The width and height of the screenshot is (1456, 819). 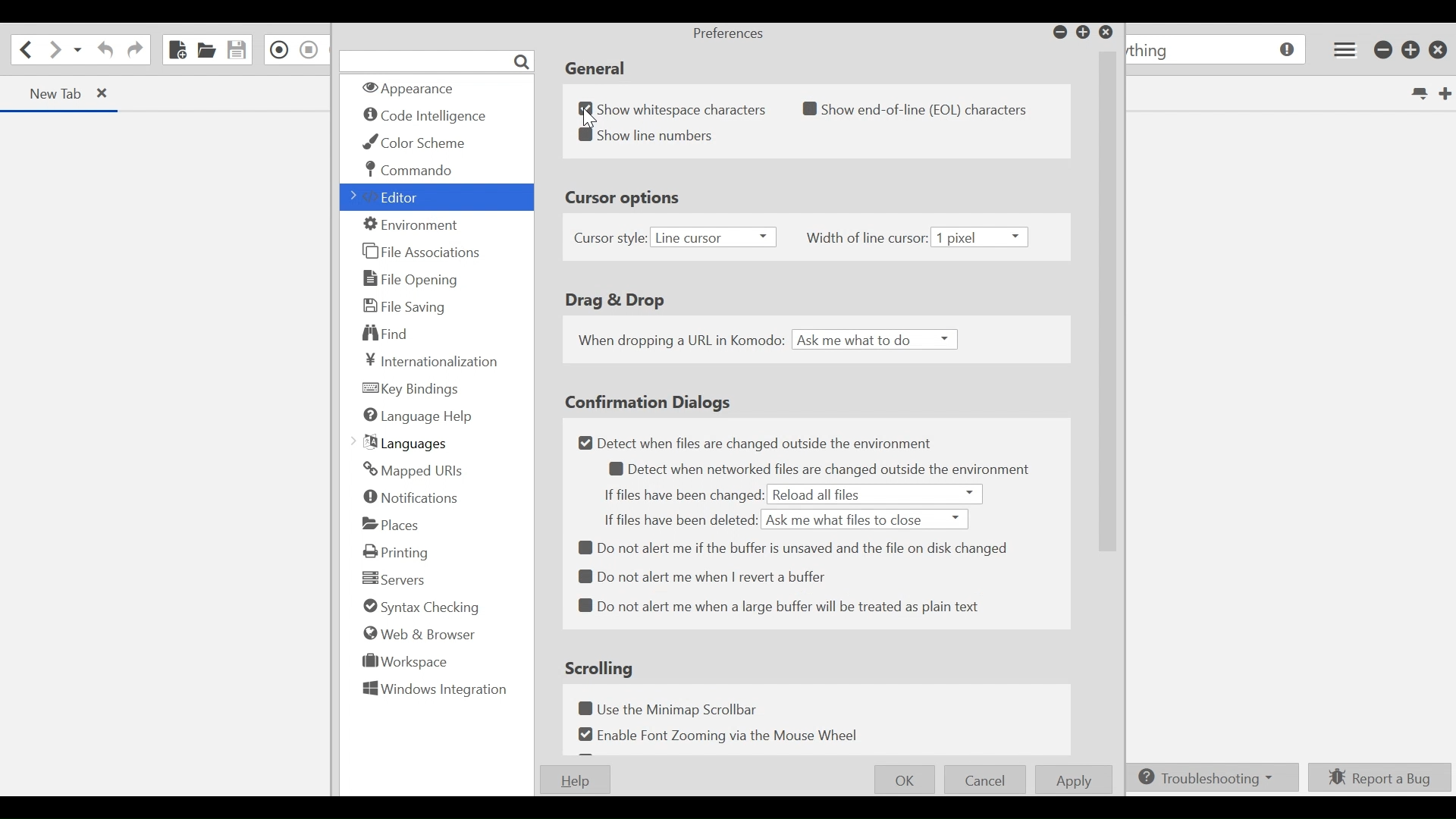 What do you see at coordinates (77, 50) in the screenshot?
I see `Recent location` at bounding box center [77, 50].